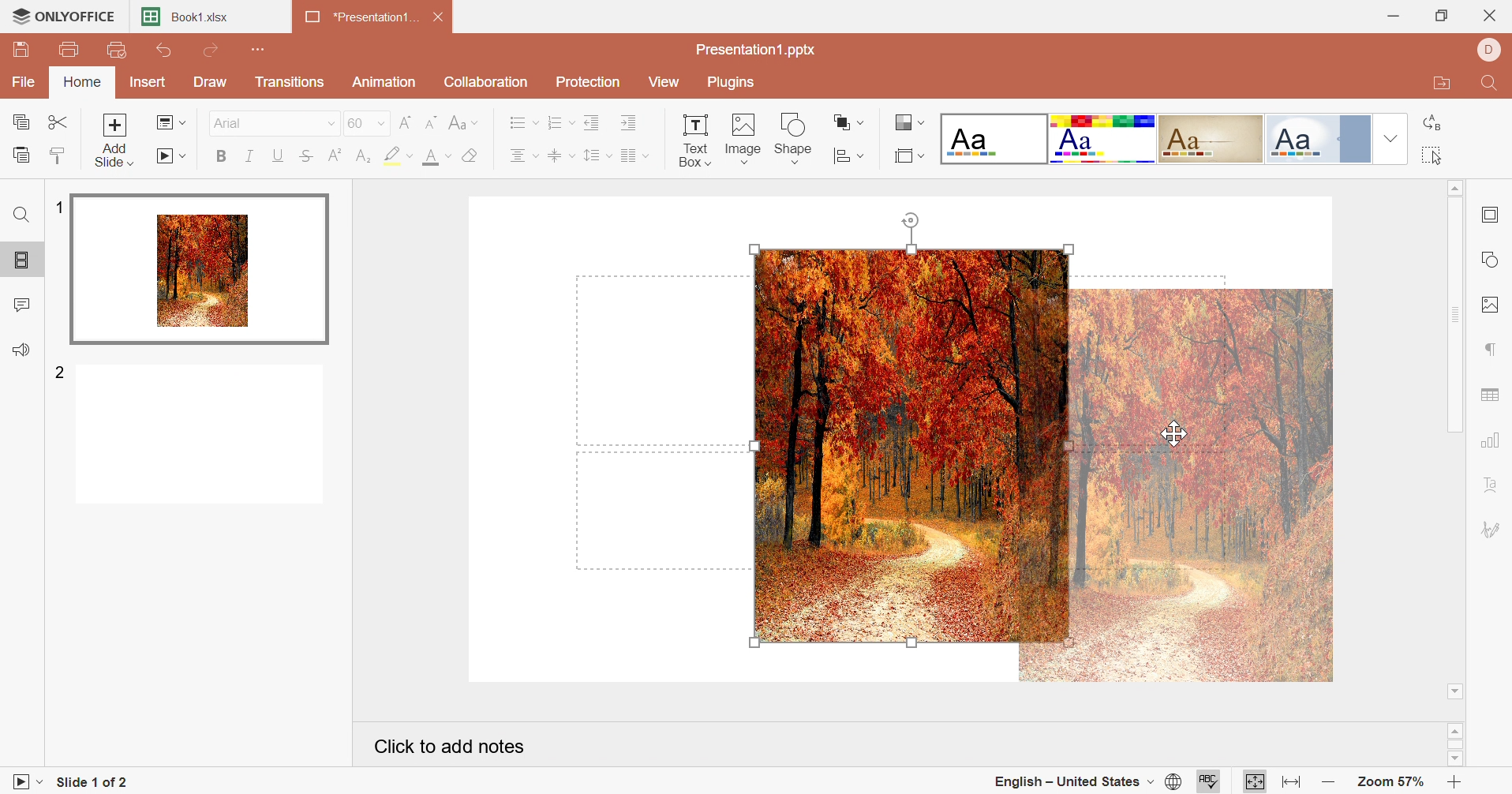  I want to click on Text Art settings, so click(1494, 484).